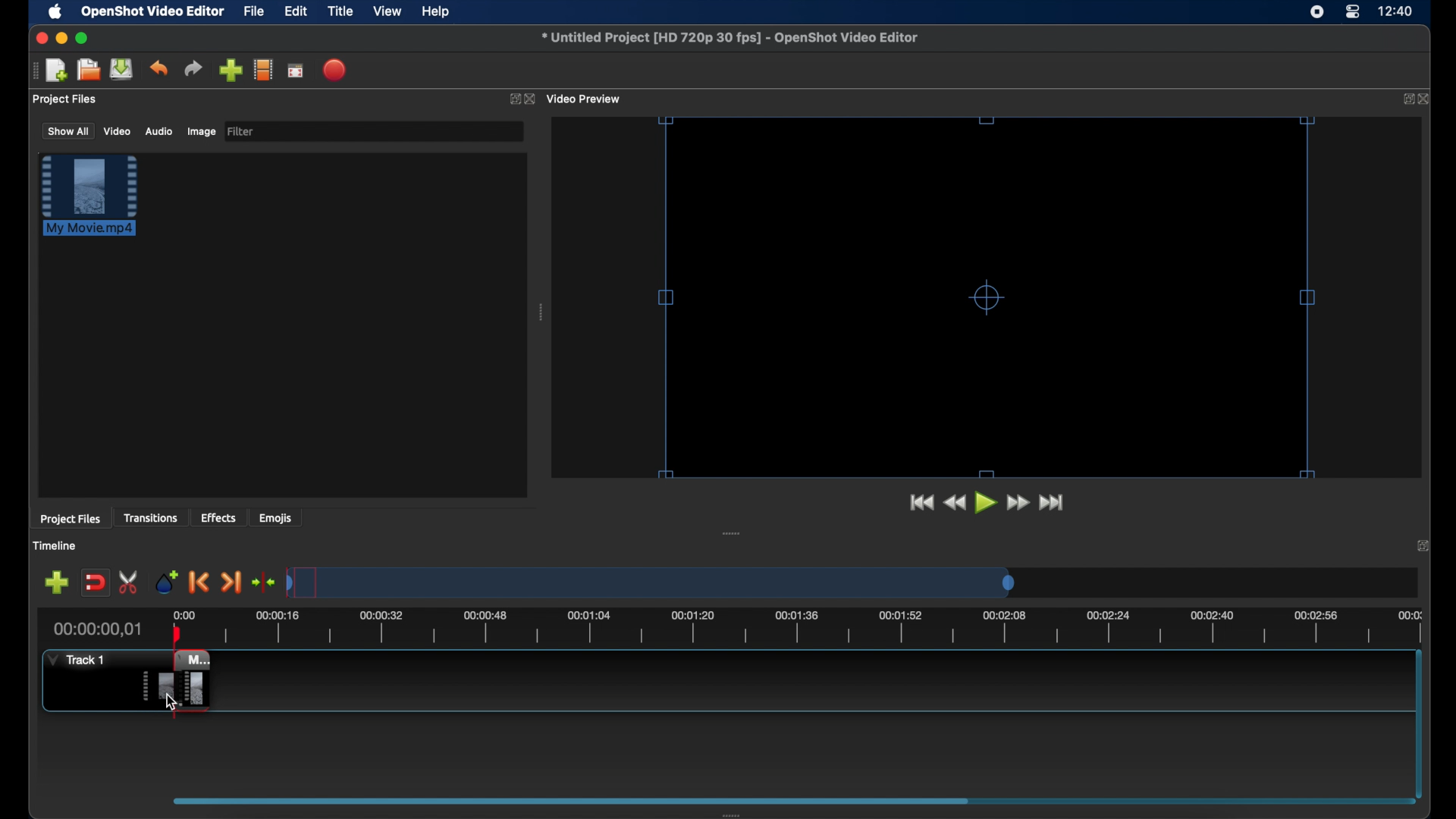  What do you see at coordinates (231, 583) in the screenshot?
I see `next marker` at bounding box center [231, 583].